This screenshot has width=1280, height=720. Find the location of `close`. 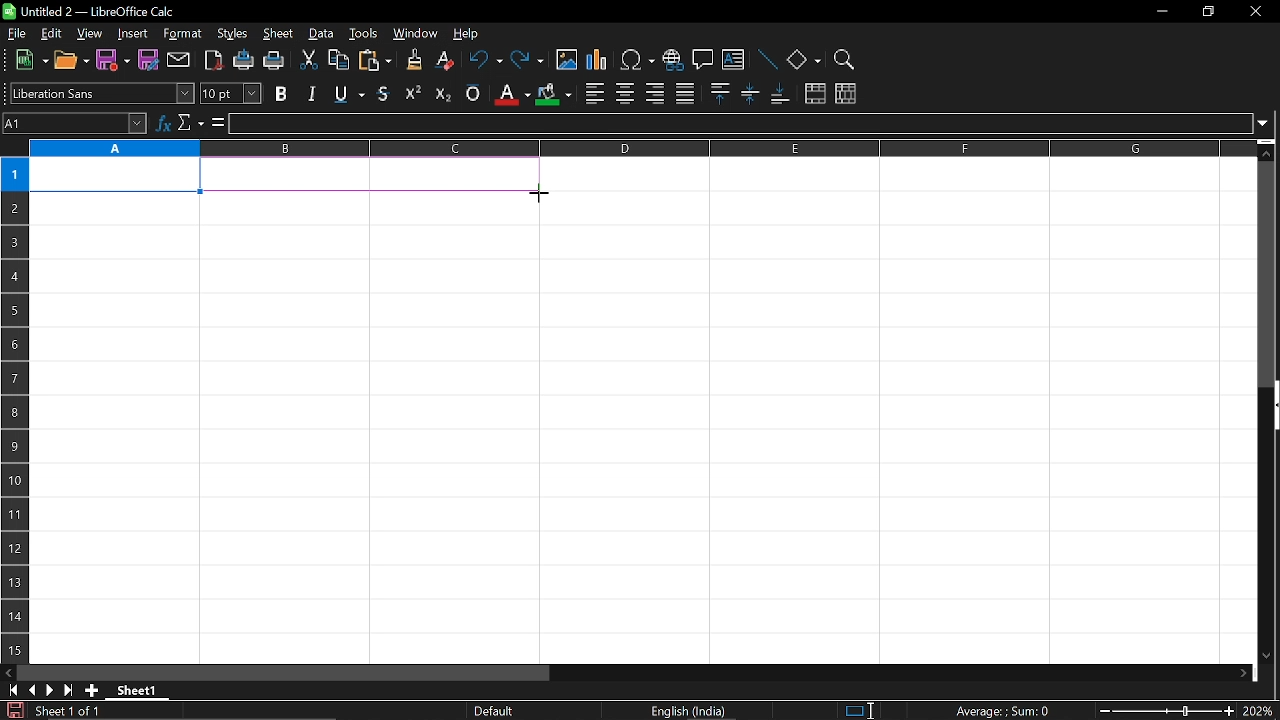

close is located at coordinates (1257, 12).